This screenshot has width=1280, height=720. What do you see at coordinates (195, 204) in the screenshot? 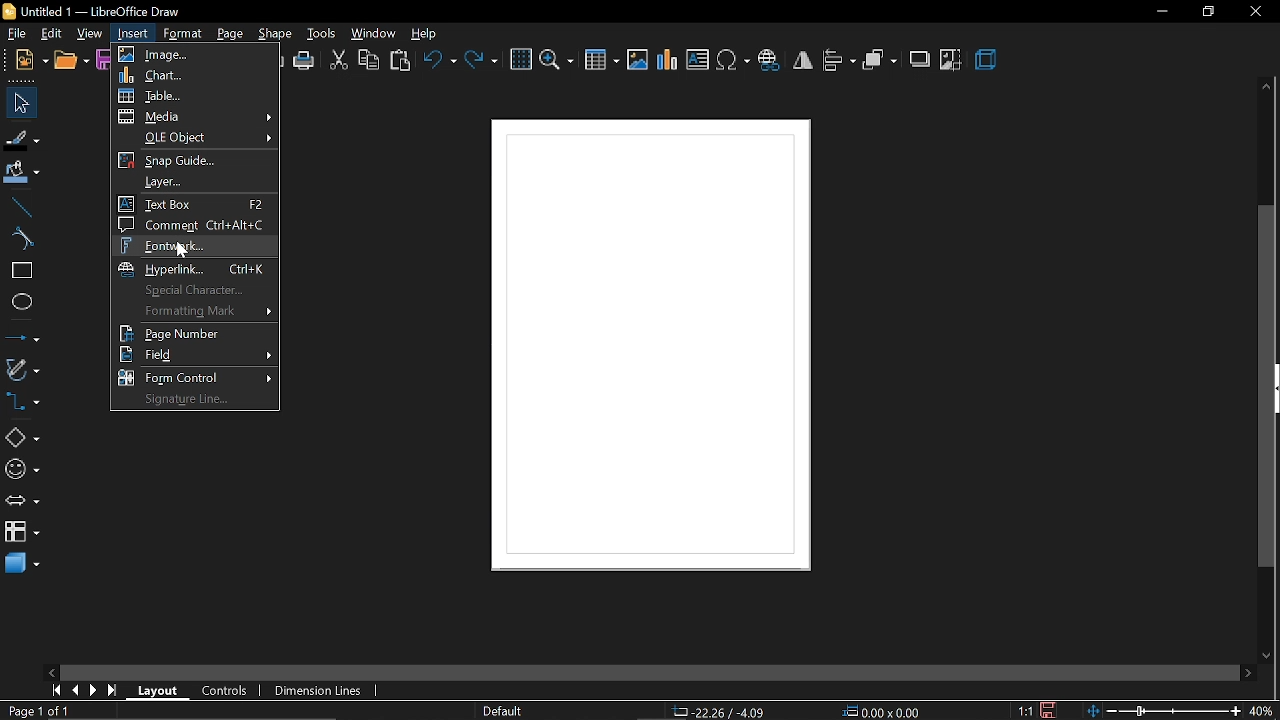
I see `text box` at bounding box center [195, 204].